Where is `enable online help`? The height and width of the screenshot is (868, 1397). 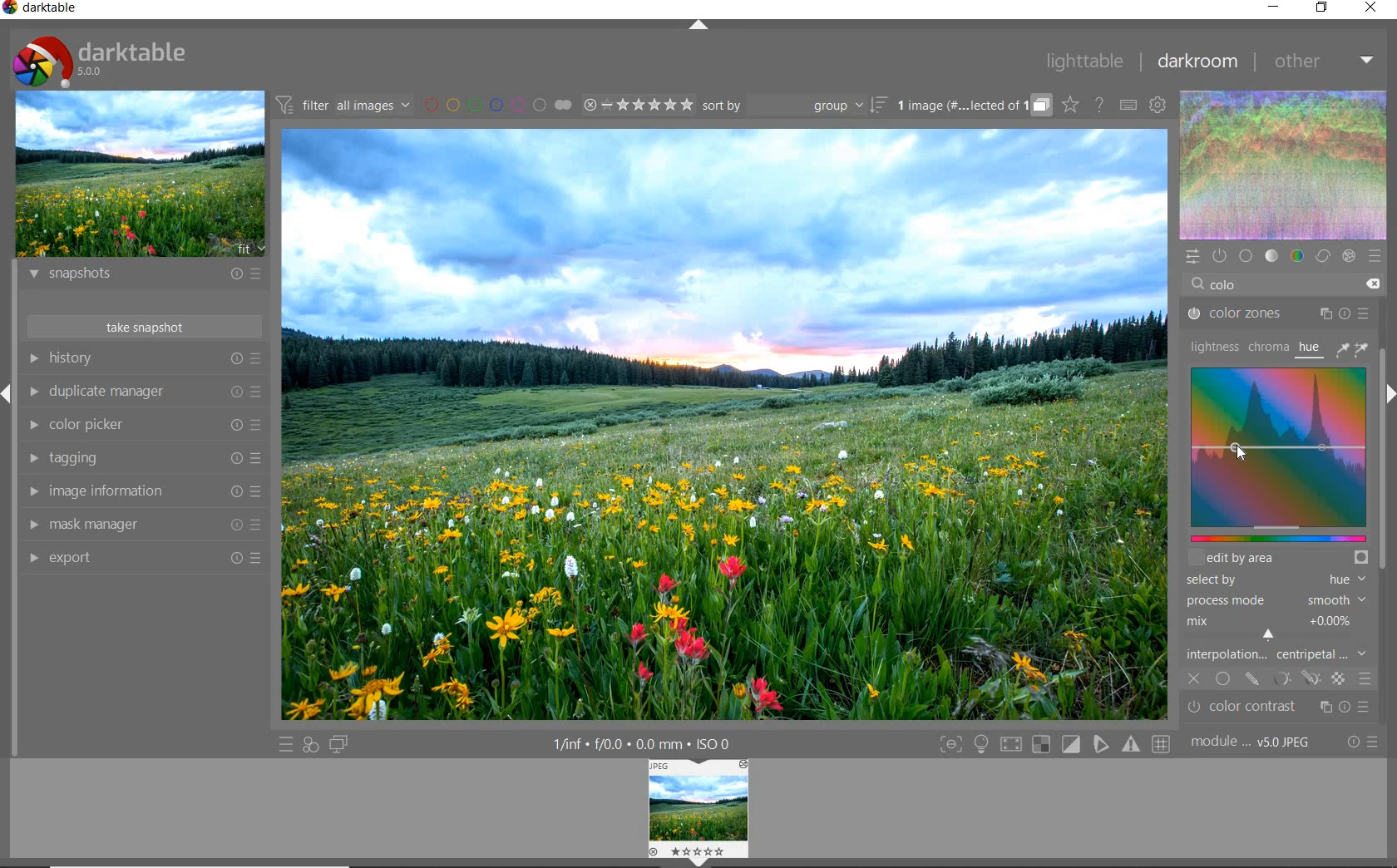 enable online help is located at coordinates (1100, 106).